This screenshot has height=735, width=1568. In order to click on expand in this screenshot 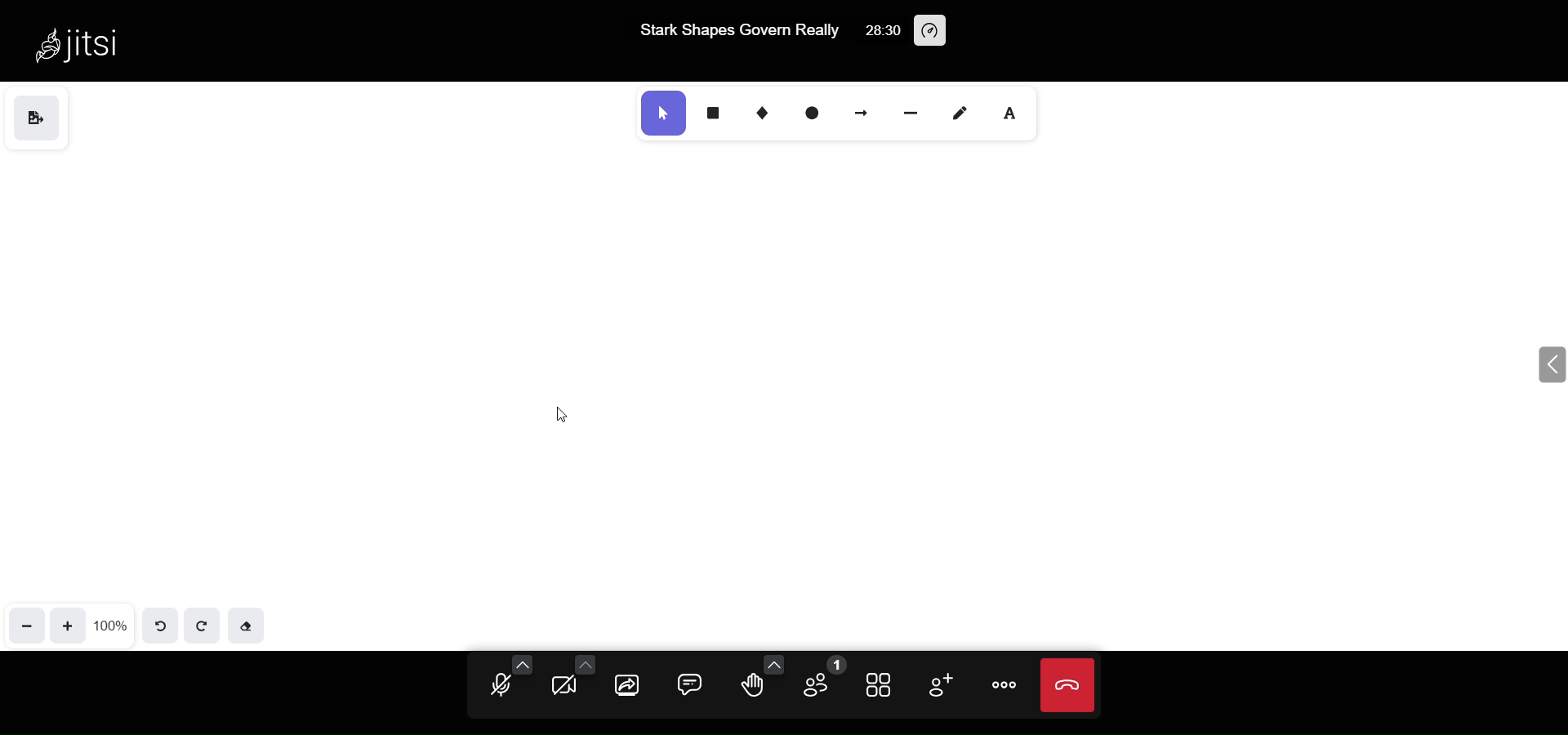, I will do `click(1548, 363)`.